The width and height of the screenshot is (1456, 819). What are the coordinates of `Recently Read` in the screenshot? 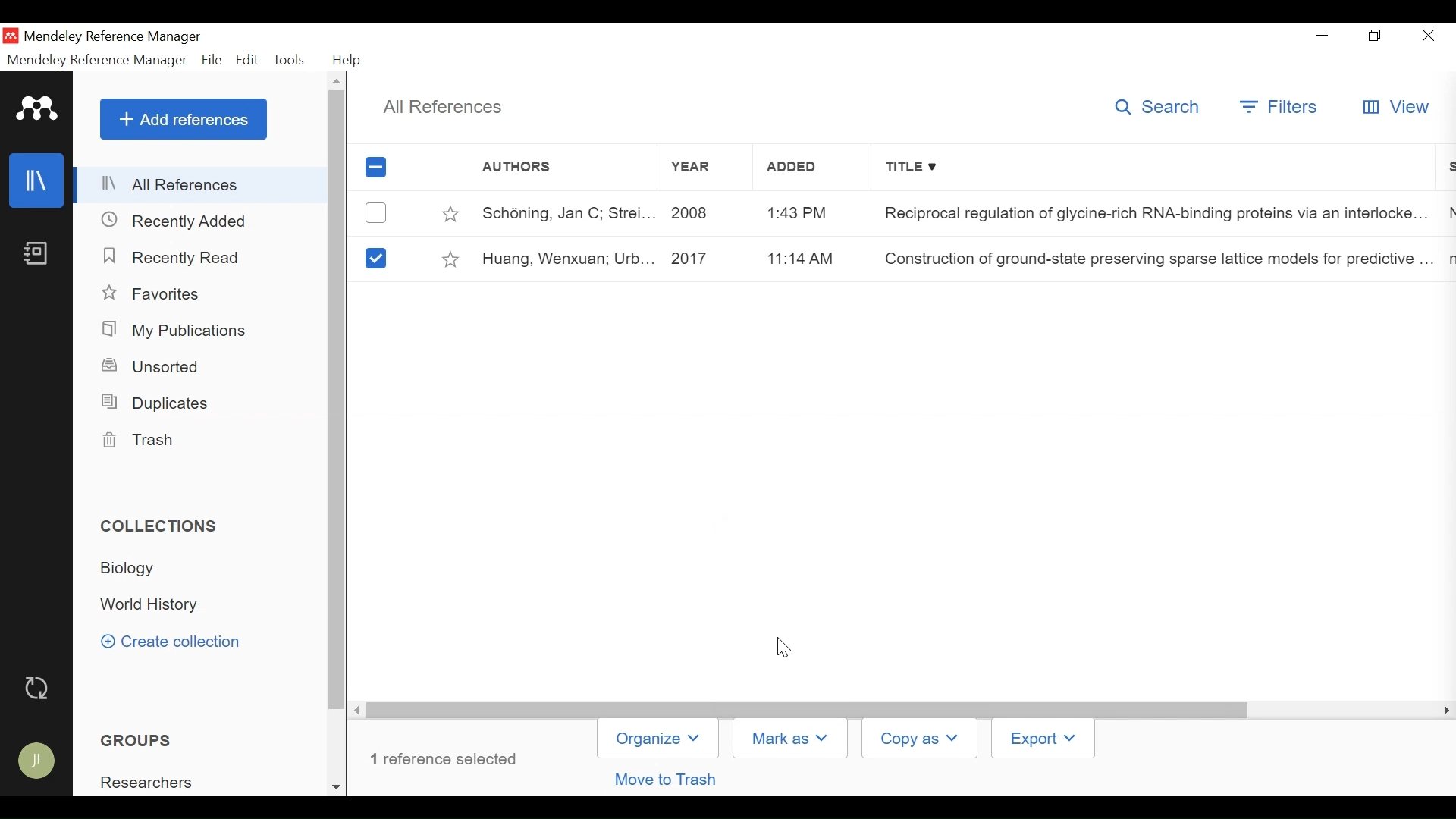 It's located at (174, 256).